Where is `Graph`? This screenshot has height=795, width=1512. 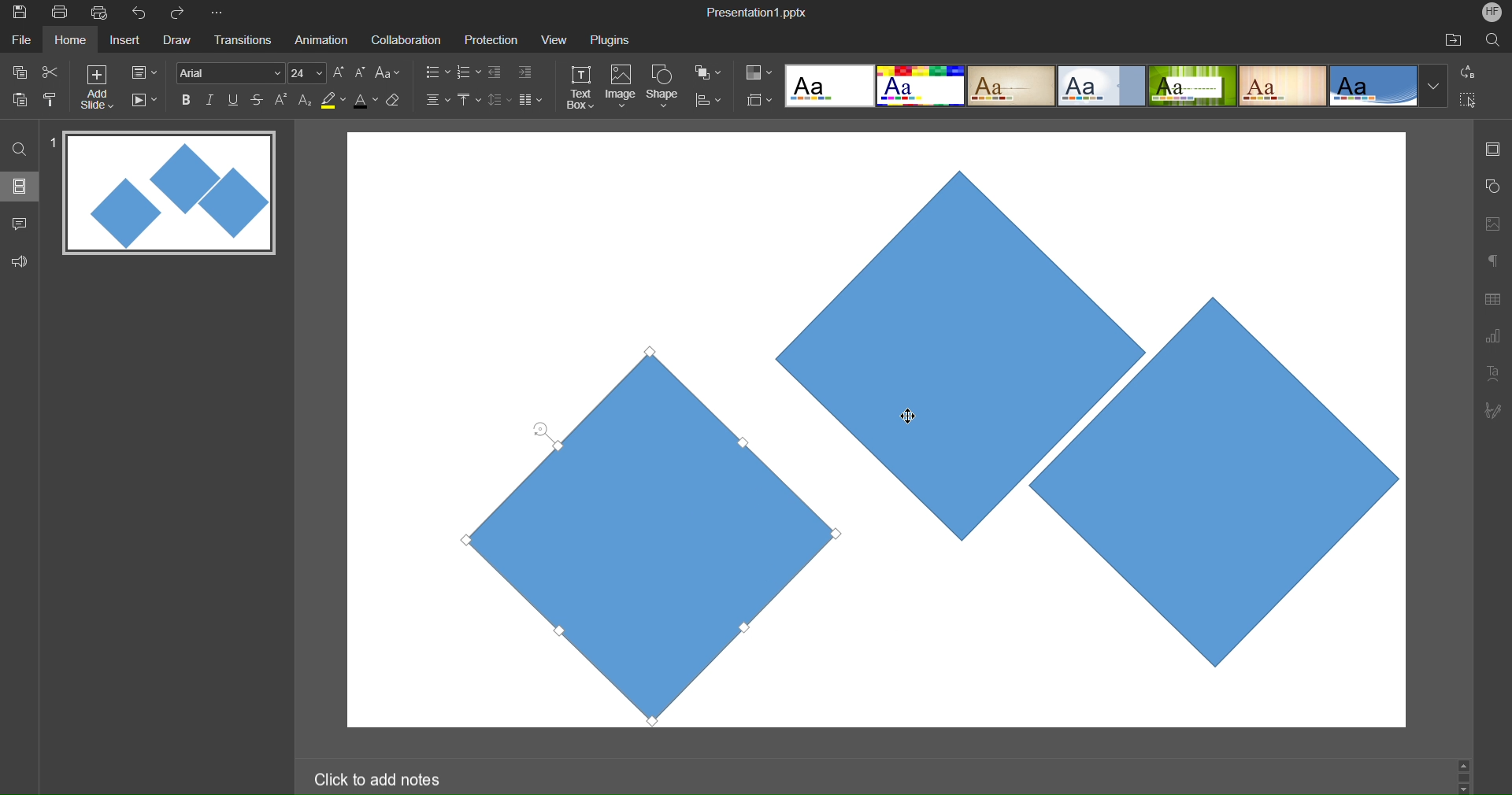
Graph is located at coordinates (1492, 338).